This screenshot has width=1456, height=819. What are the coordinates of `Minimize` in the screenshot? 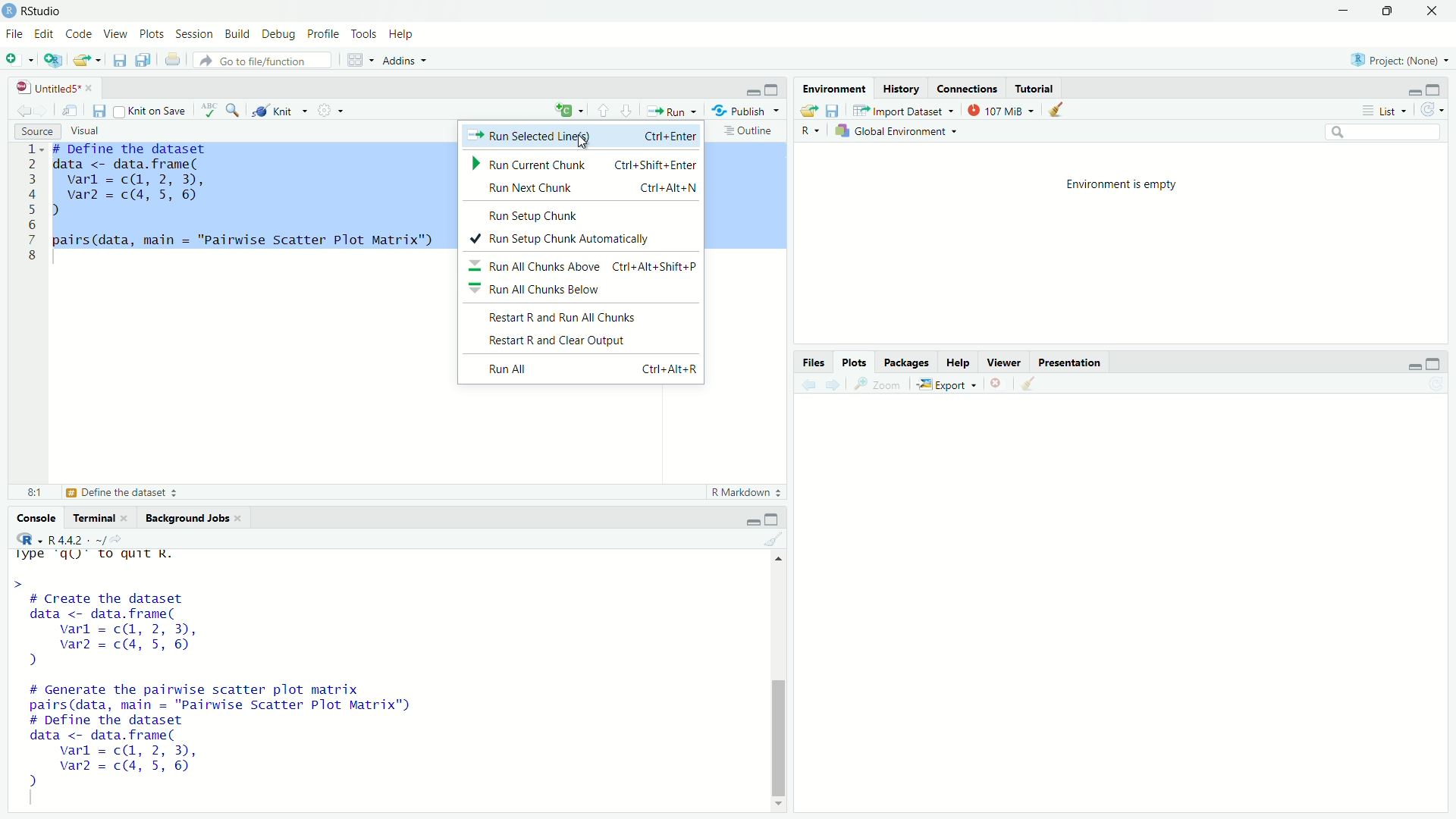 It's located at (752, 91).